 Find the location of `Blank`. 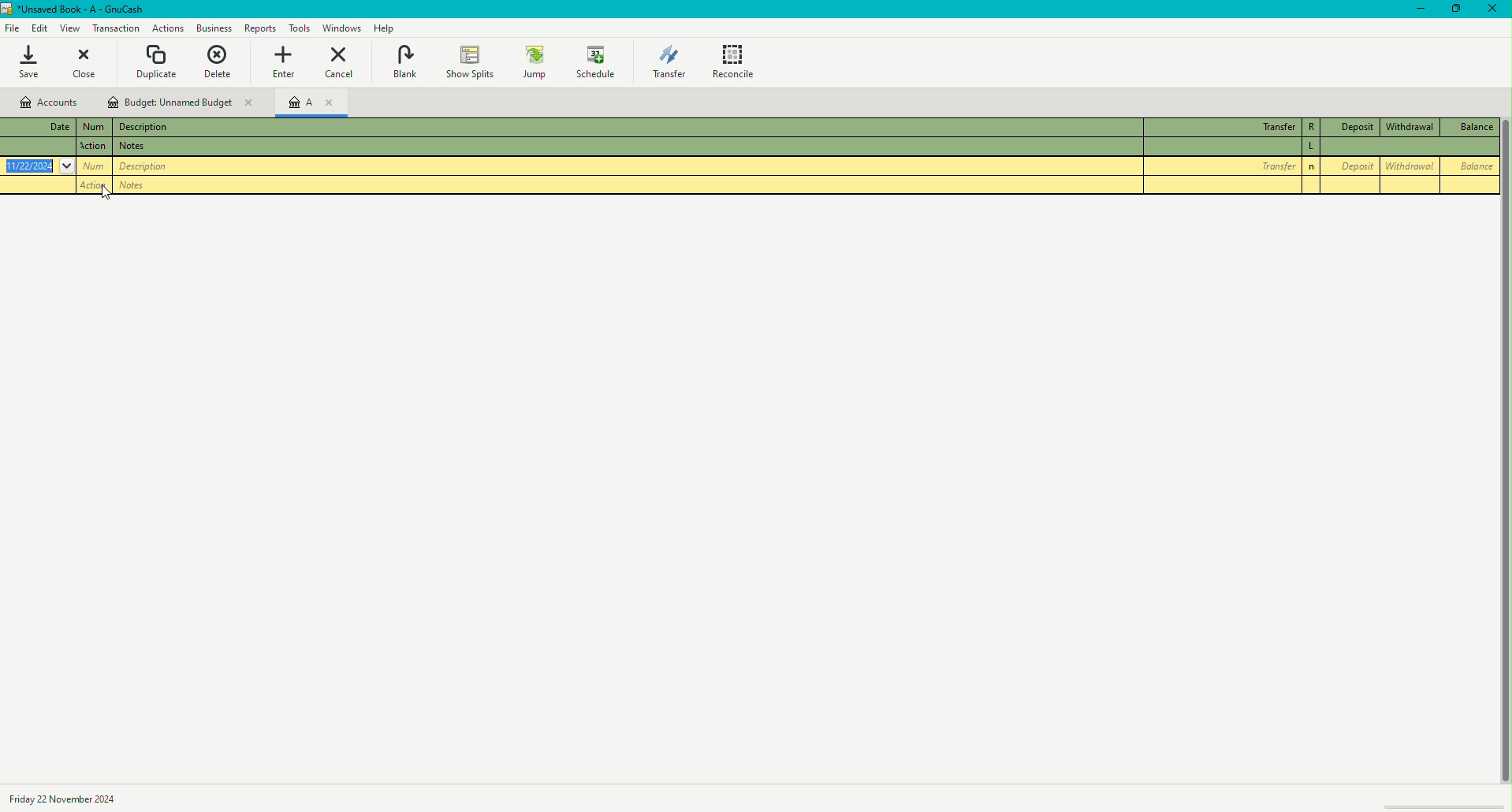

Blank is located at coordinates (404, 63).